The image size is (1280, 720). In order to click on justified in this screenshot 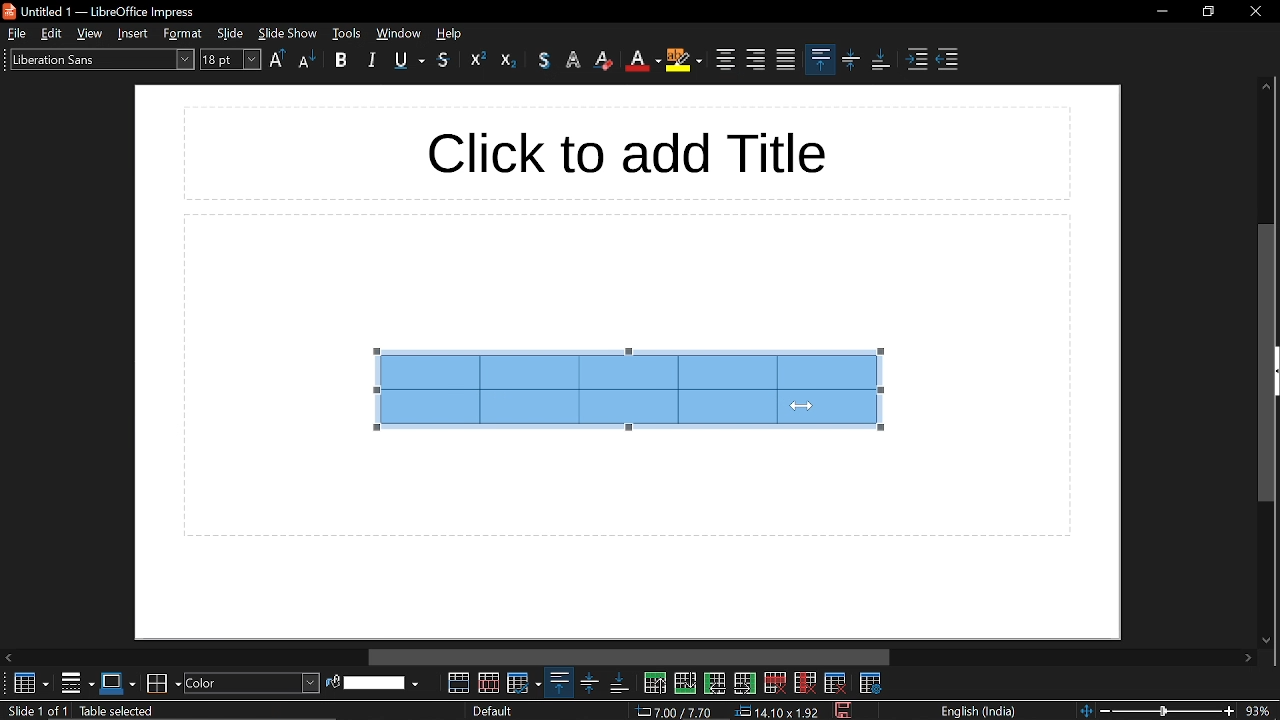, I will do `click(786, 61)`.